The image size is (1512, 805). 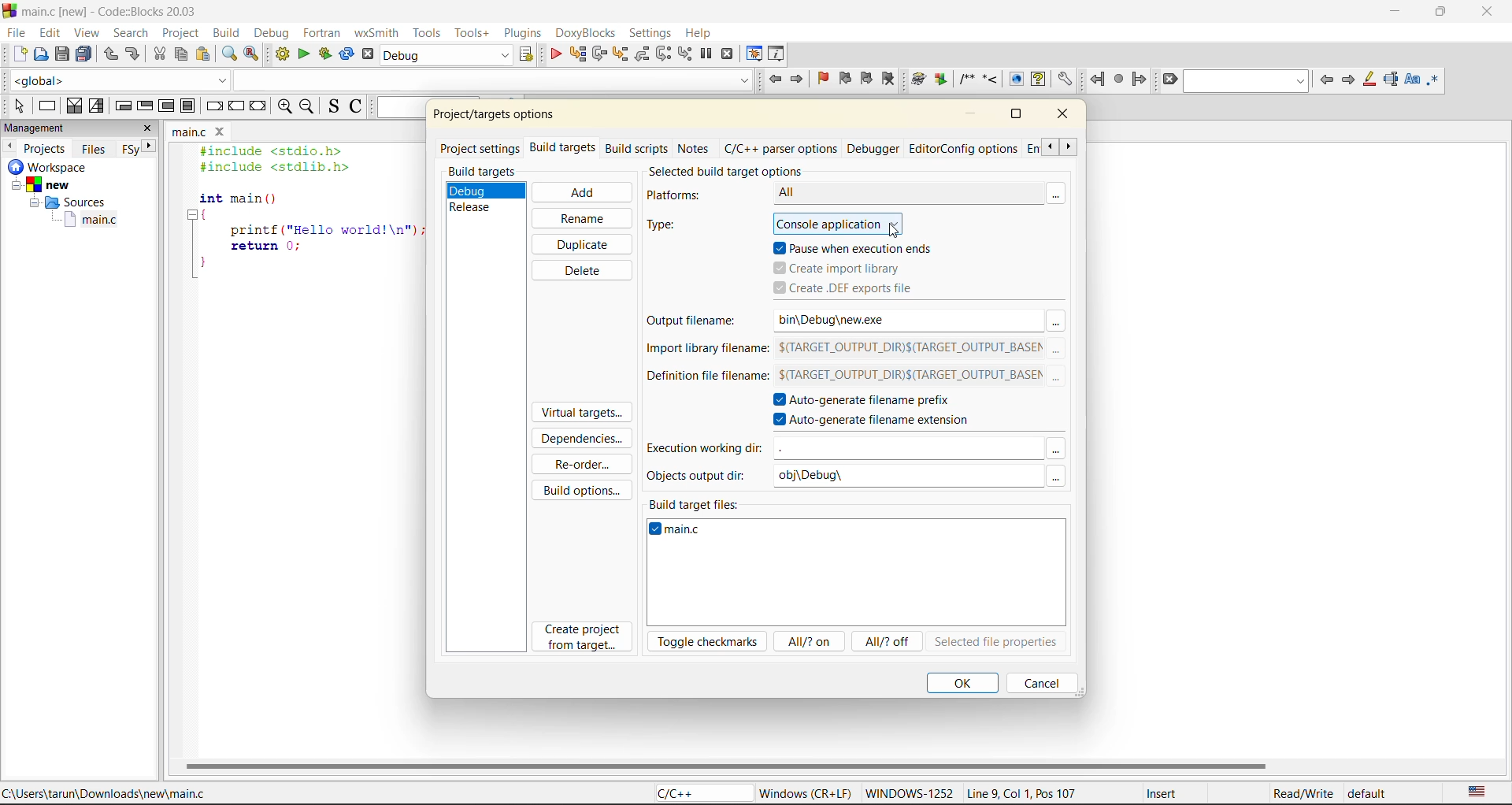 What do you see at coordinates (1445, 14) in the screenshot?
I see `maximize` at bounding box center [1445, 14].